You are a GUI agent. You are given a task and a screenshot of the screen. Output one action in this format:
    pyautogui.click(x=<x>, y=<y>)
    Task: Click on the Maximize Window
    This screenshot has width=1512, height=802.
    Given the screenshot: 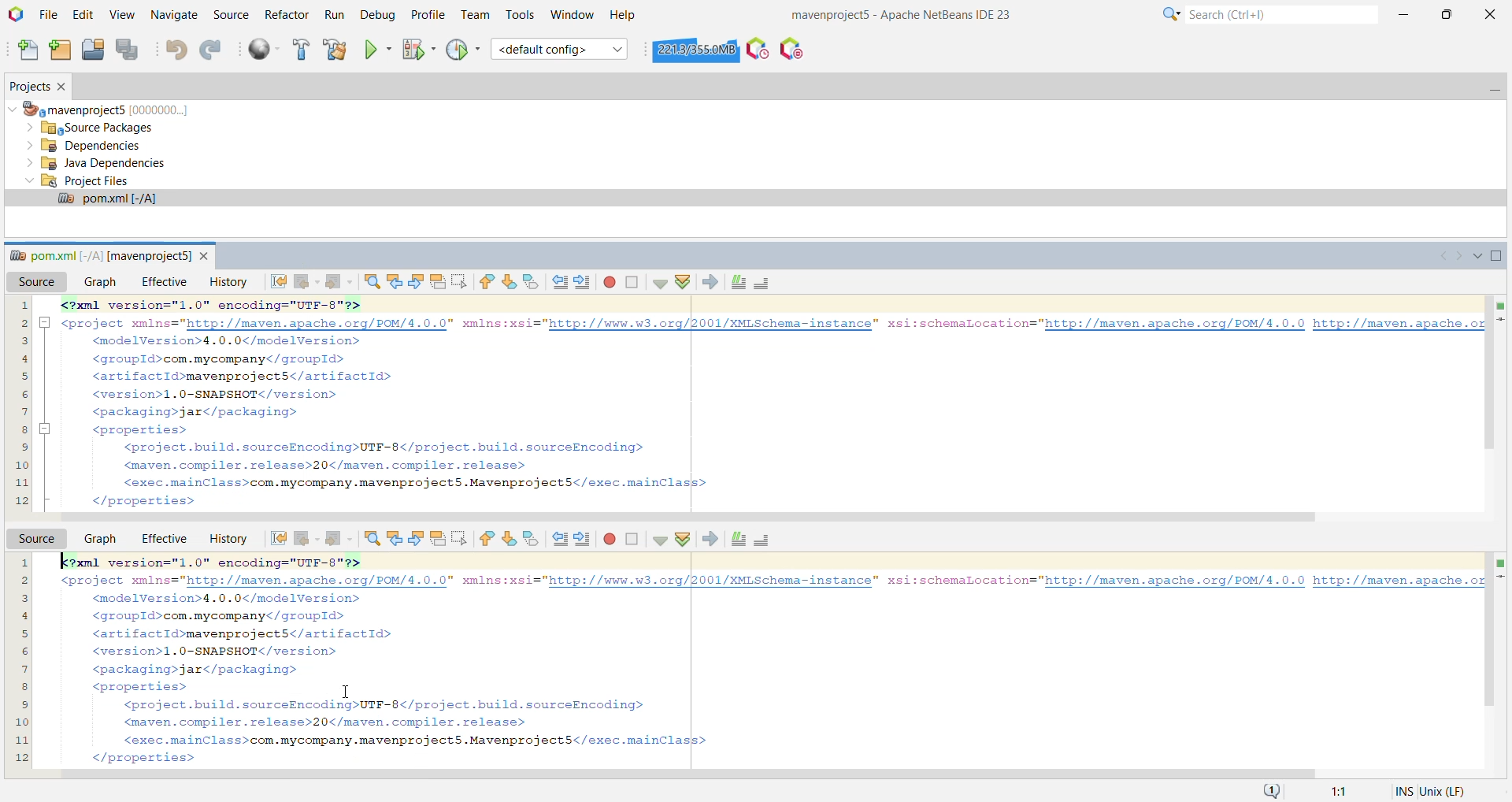 What is the action you would take?
    pyautogui.click(x=1498, y=257)
    